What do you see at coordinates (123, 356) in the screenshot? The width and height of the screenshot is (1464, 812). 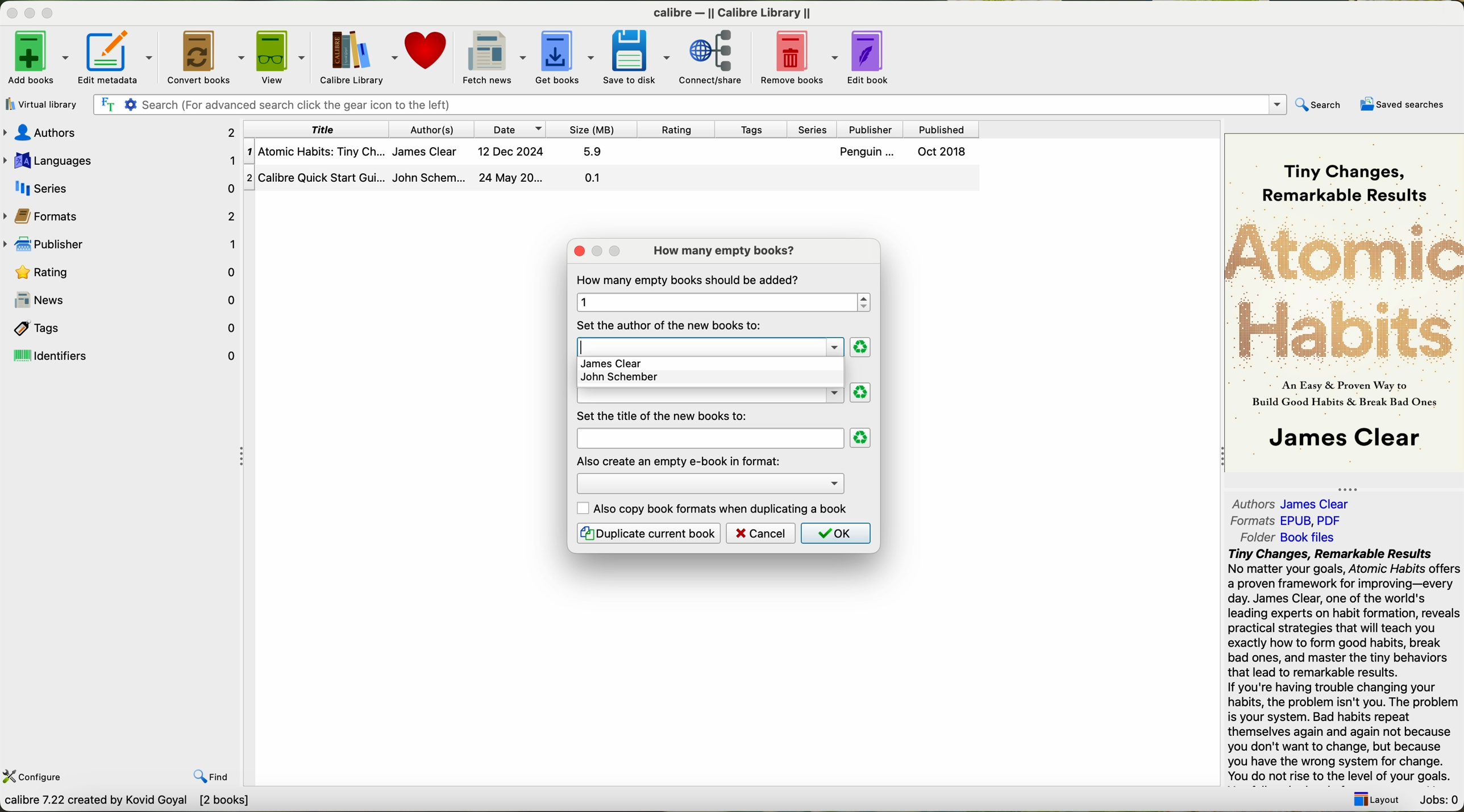 I see `identifiers` at bounding box center [123, 356].